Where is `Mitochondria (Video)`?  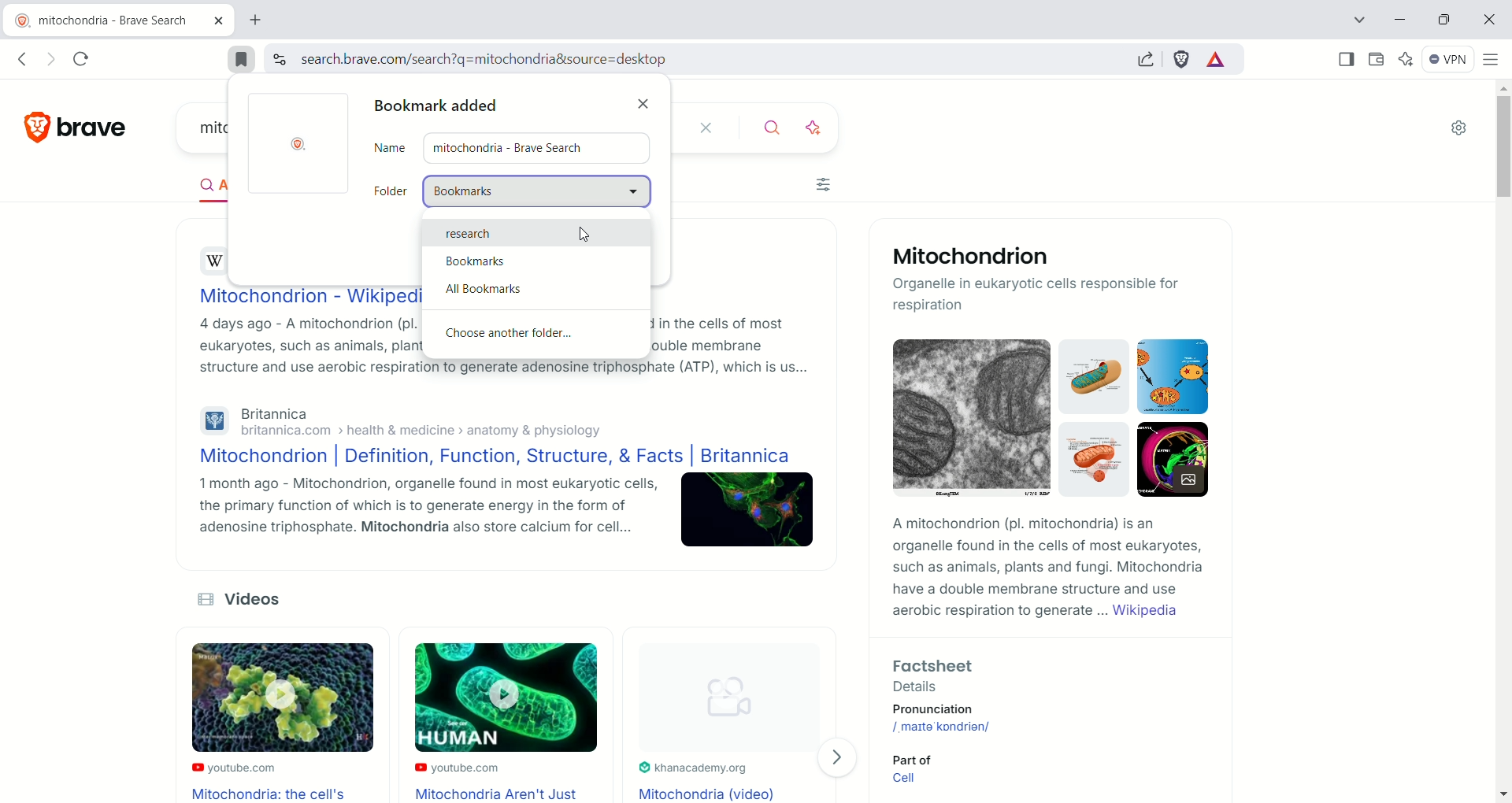
Mitochondria (Video) is located at coordinates (710, 793).